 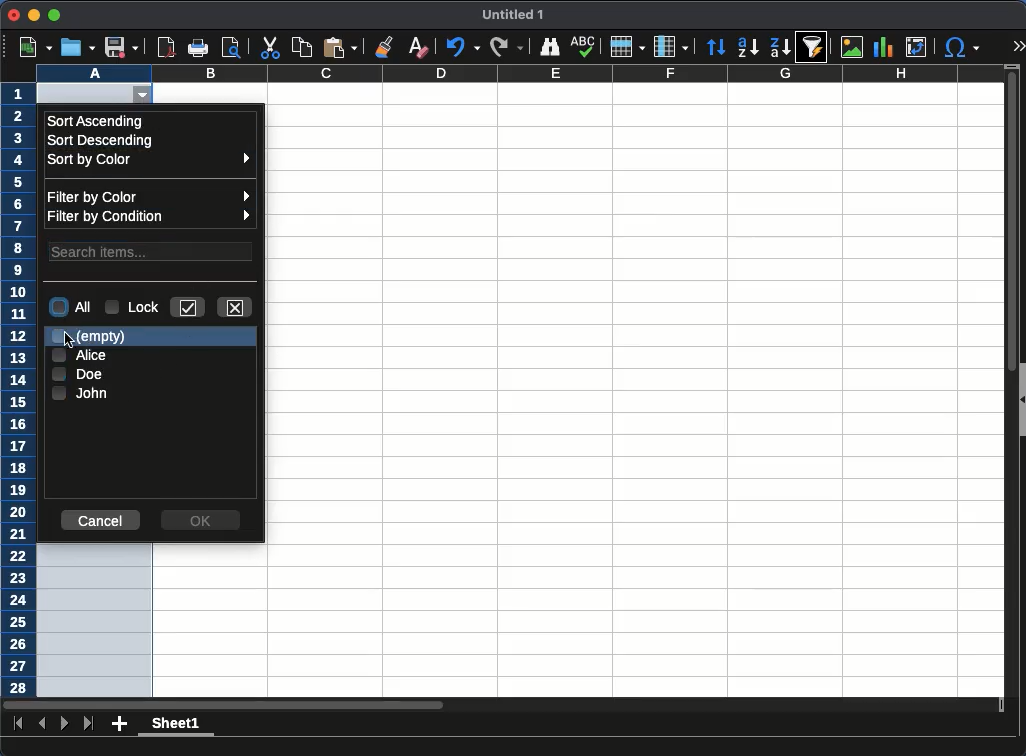 I want to click on sheet1, so click(x=174, y=726).